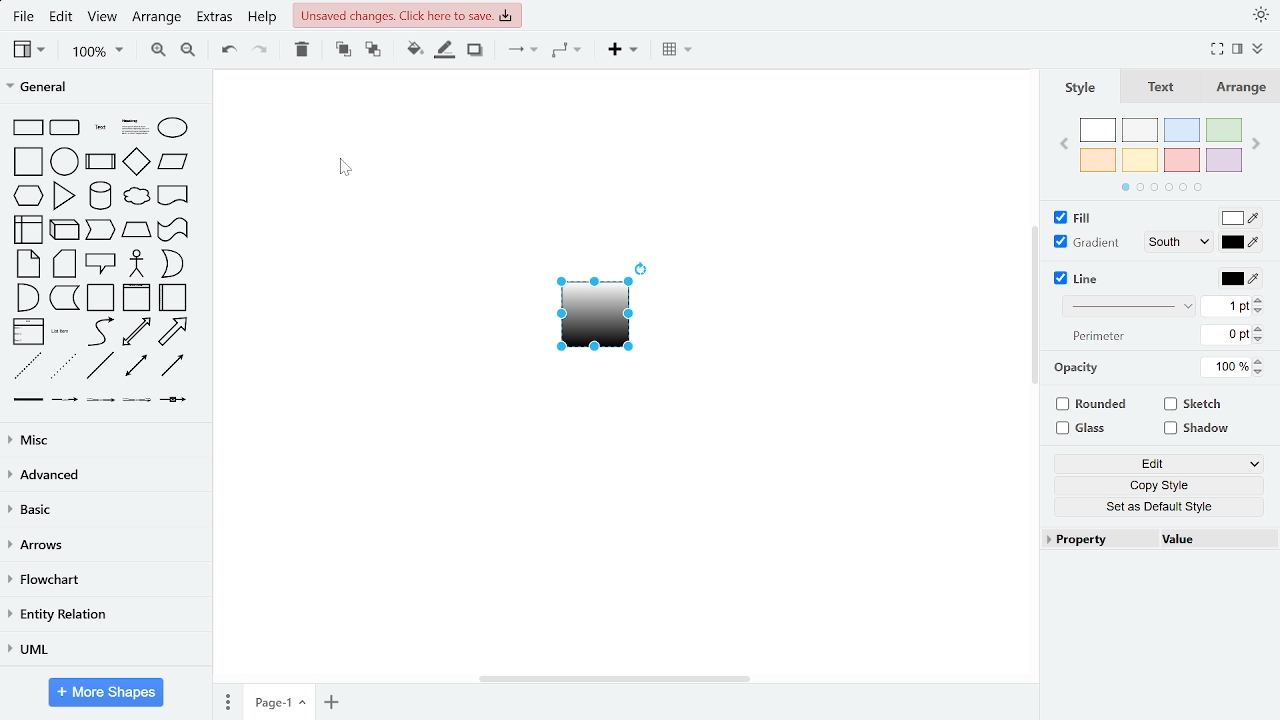 The image size is (1280, 720). What do you see at coordinates (265, 17) in the screenshot?
I see `help` at bounding box center [265, 17].